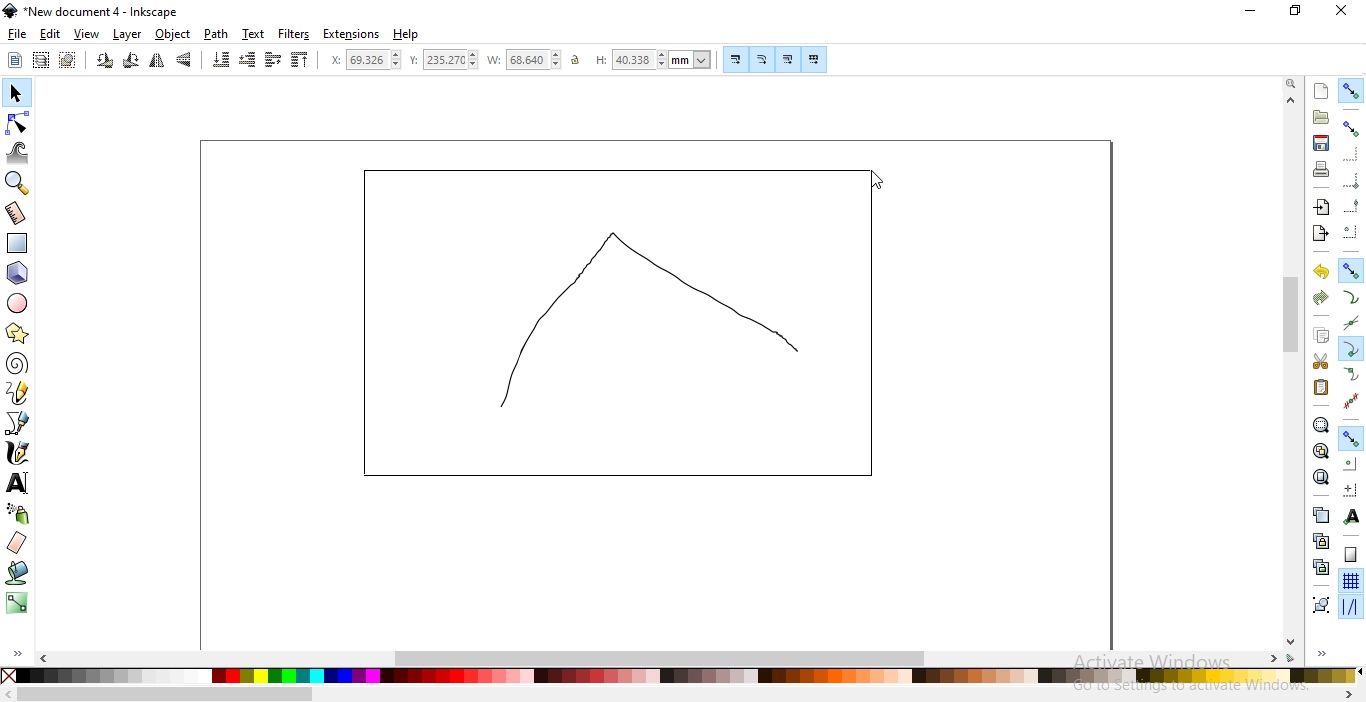 This screenshot has height=702, width=1366. I want to click on cursor, so click(879, 178).